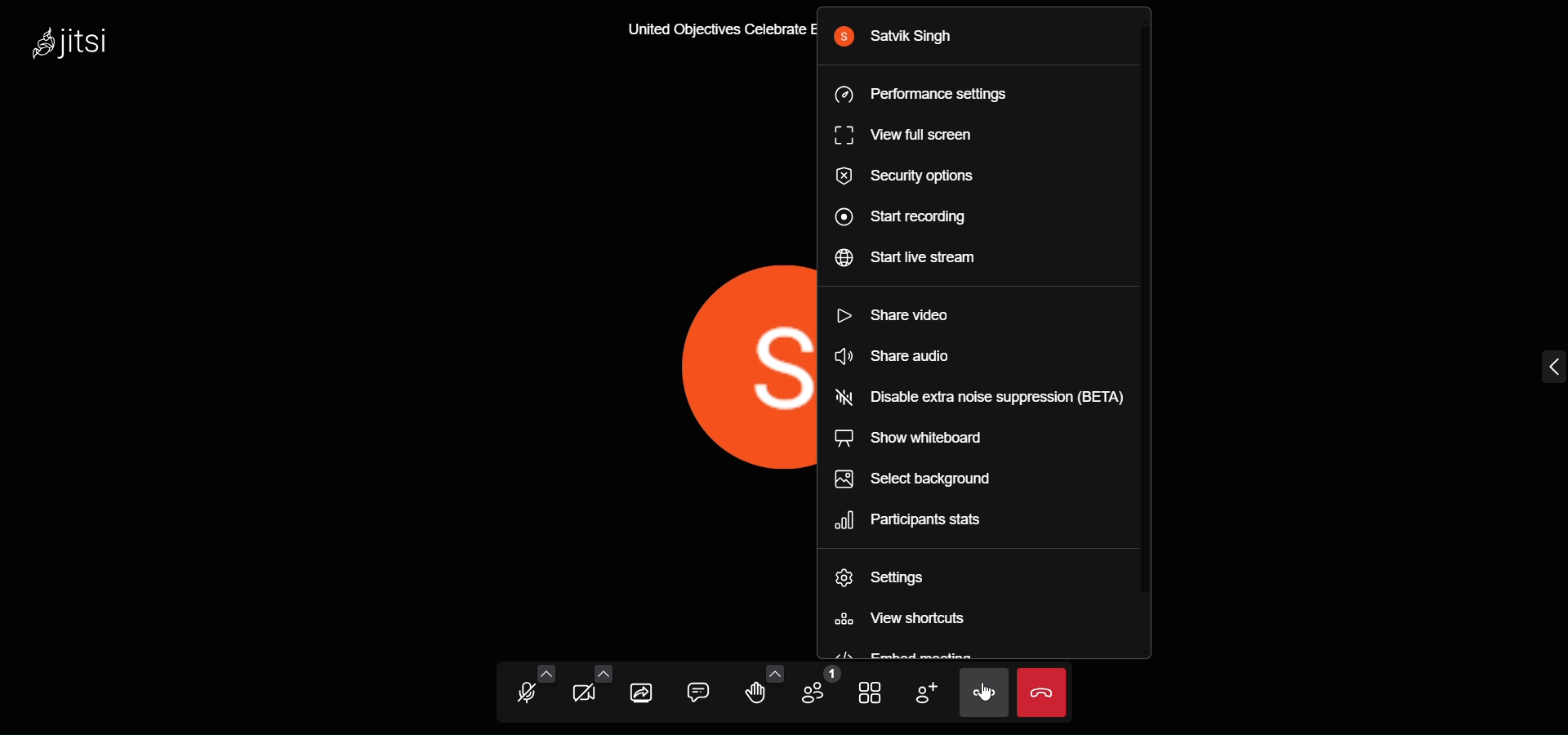 Image resolution: width=1568 pixels, height=735 pixels. Describe the element at coordinates (1543, 368) in the screenshot. I see `expand` at that location.